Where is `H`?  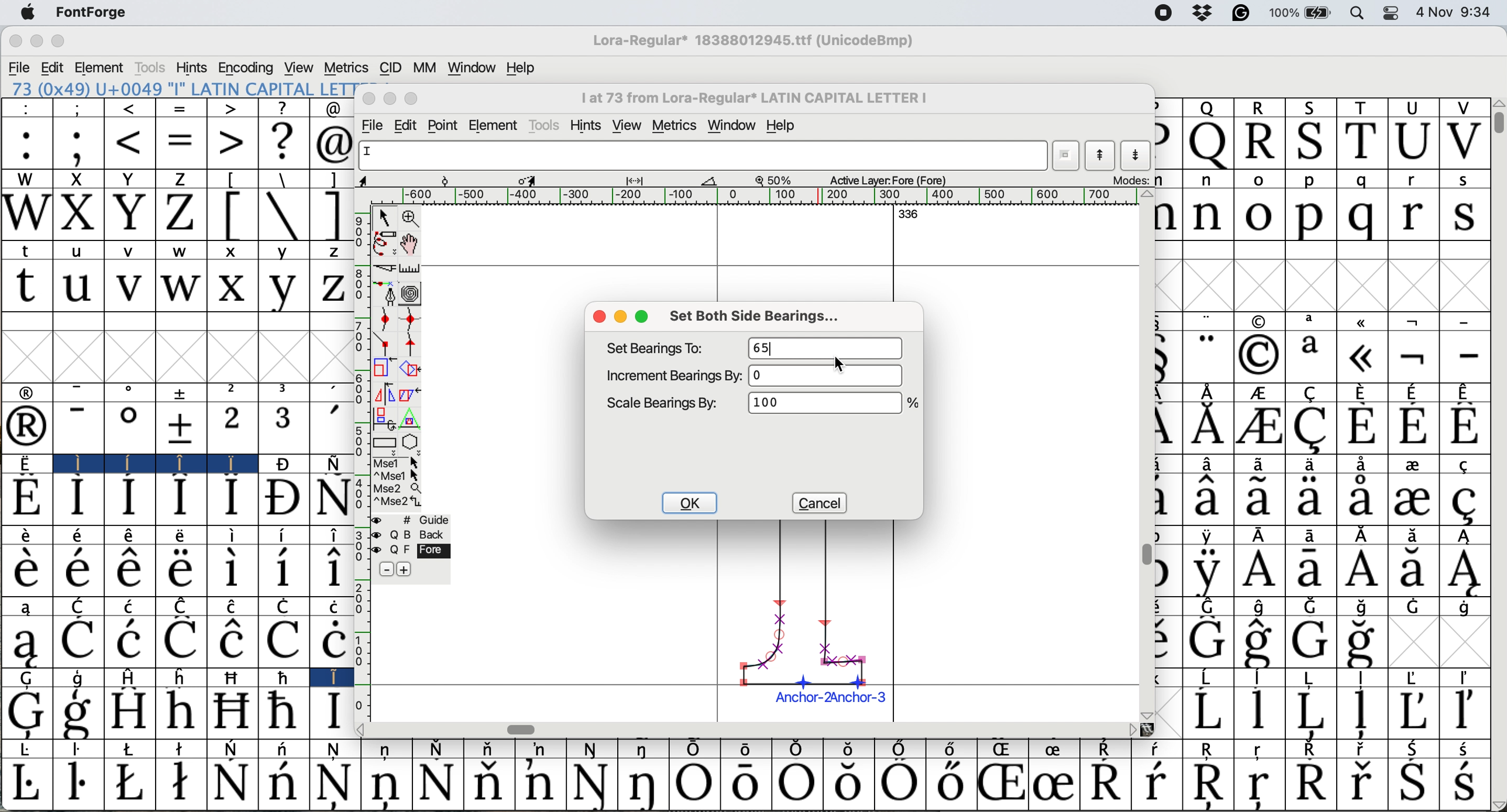
H is located at coordinates (134, 677).